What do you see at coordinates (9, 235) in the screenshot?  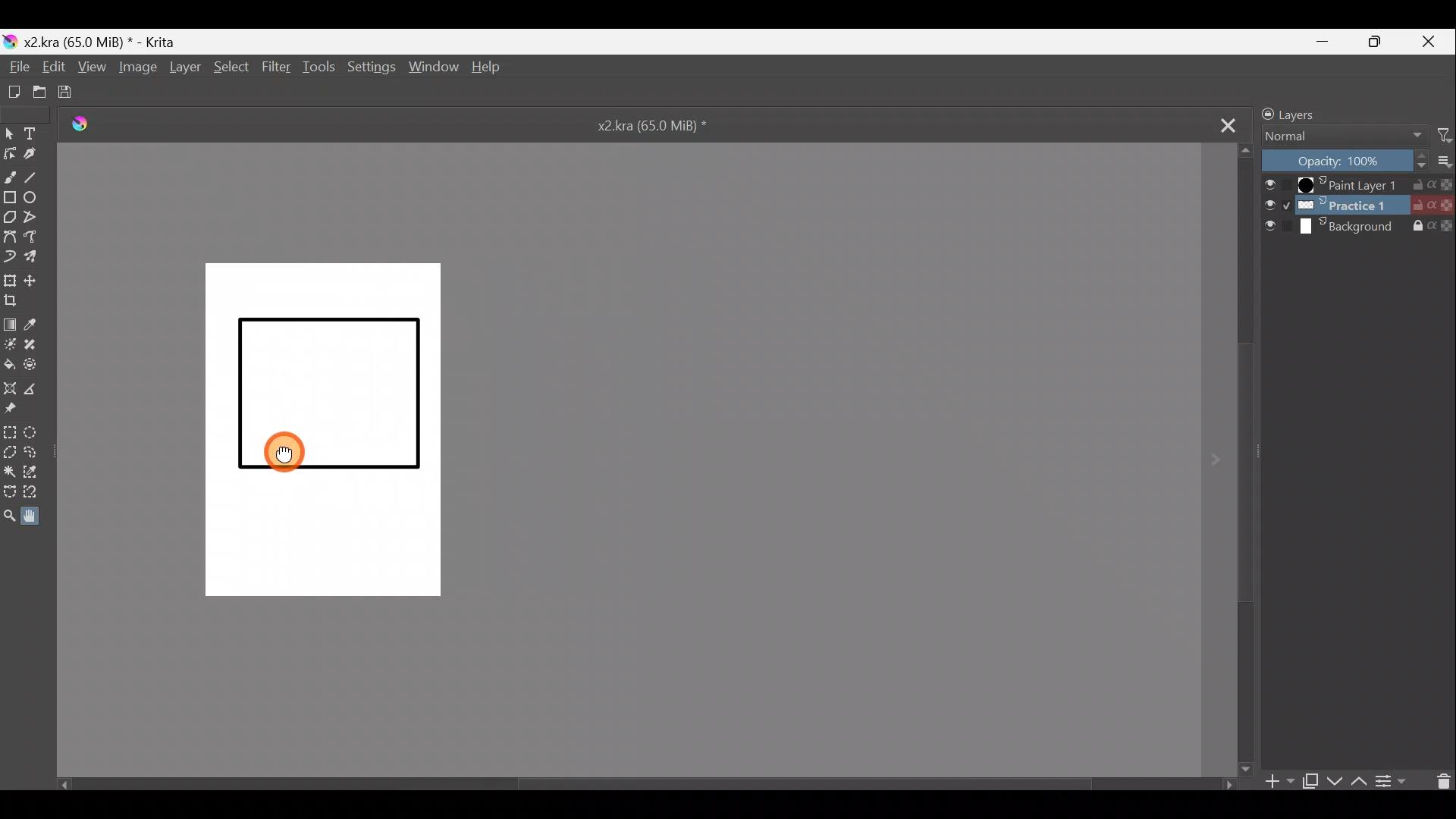 I see `Bezier curve tool` at bounding box center [9, 235].